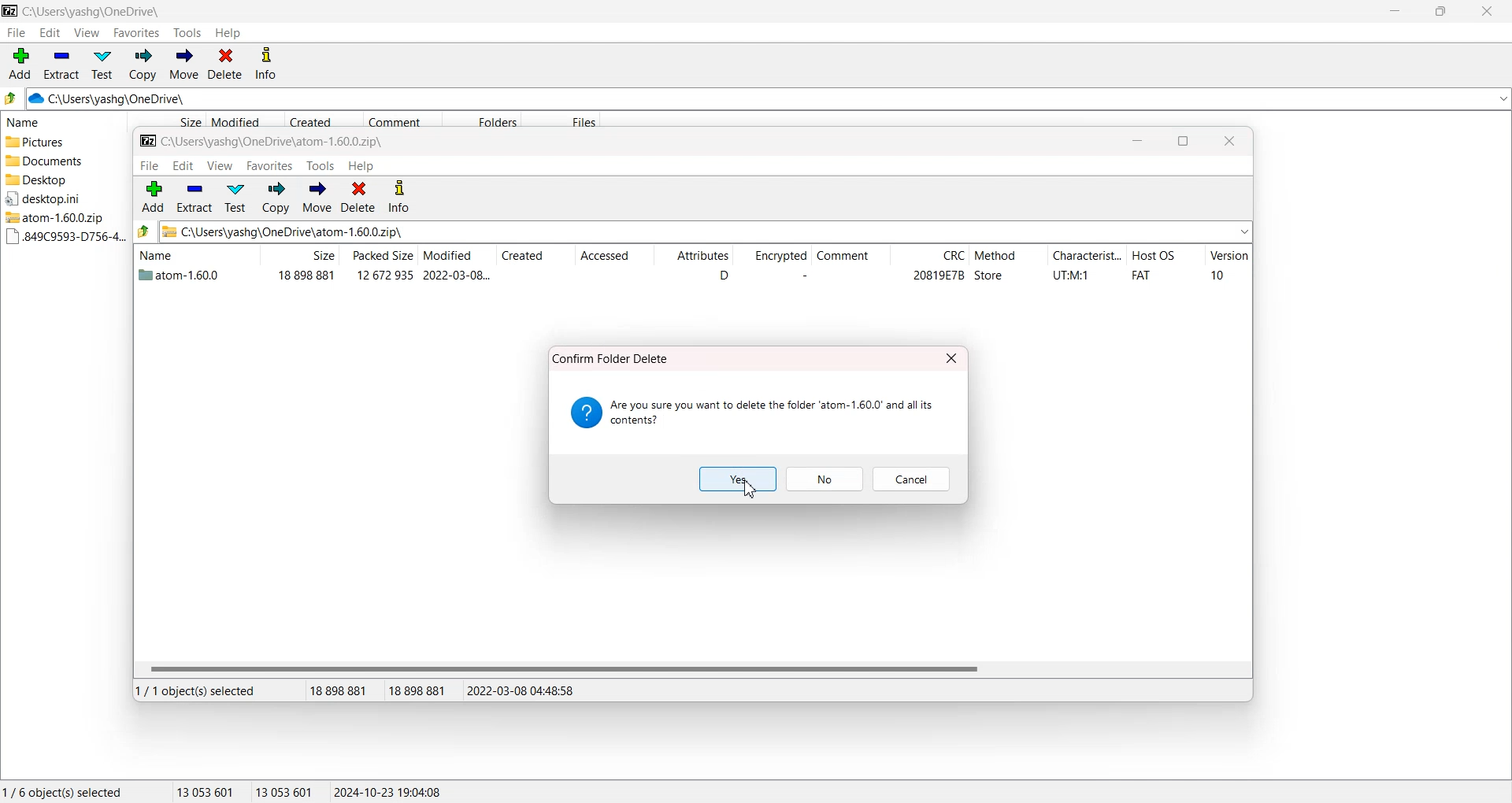 The image size is (1512, 803). Describe the element at coordinates (912, 479) in the screenshot. I see `Cancel` at that location.